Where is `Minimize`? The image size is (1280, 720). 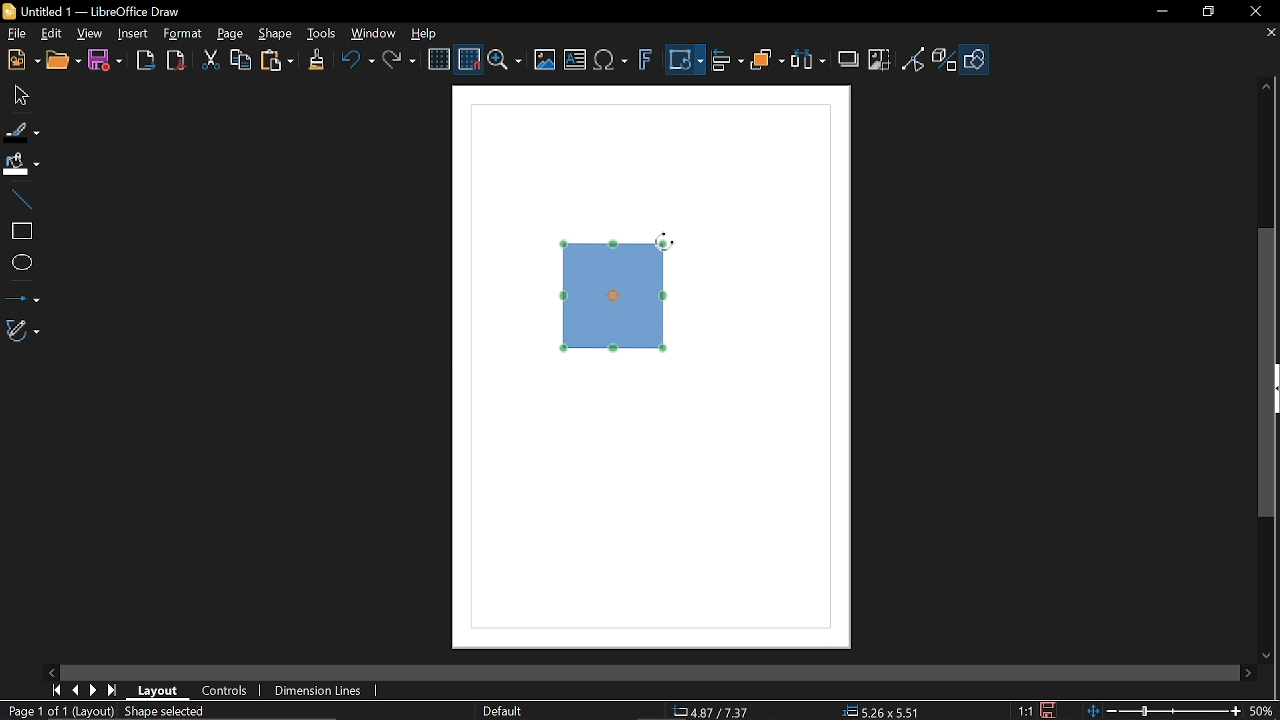
Minimize is located at coordinates (1160, 11).